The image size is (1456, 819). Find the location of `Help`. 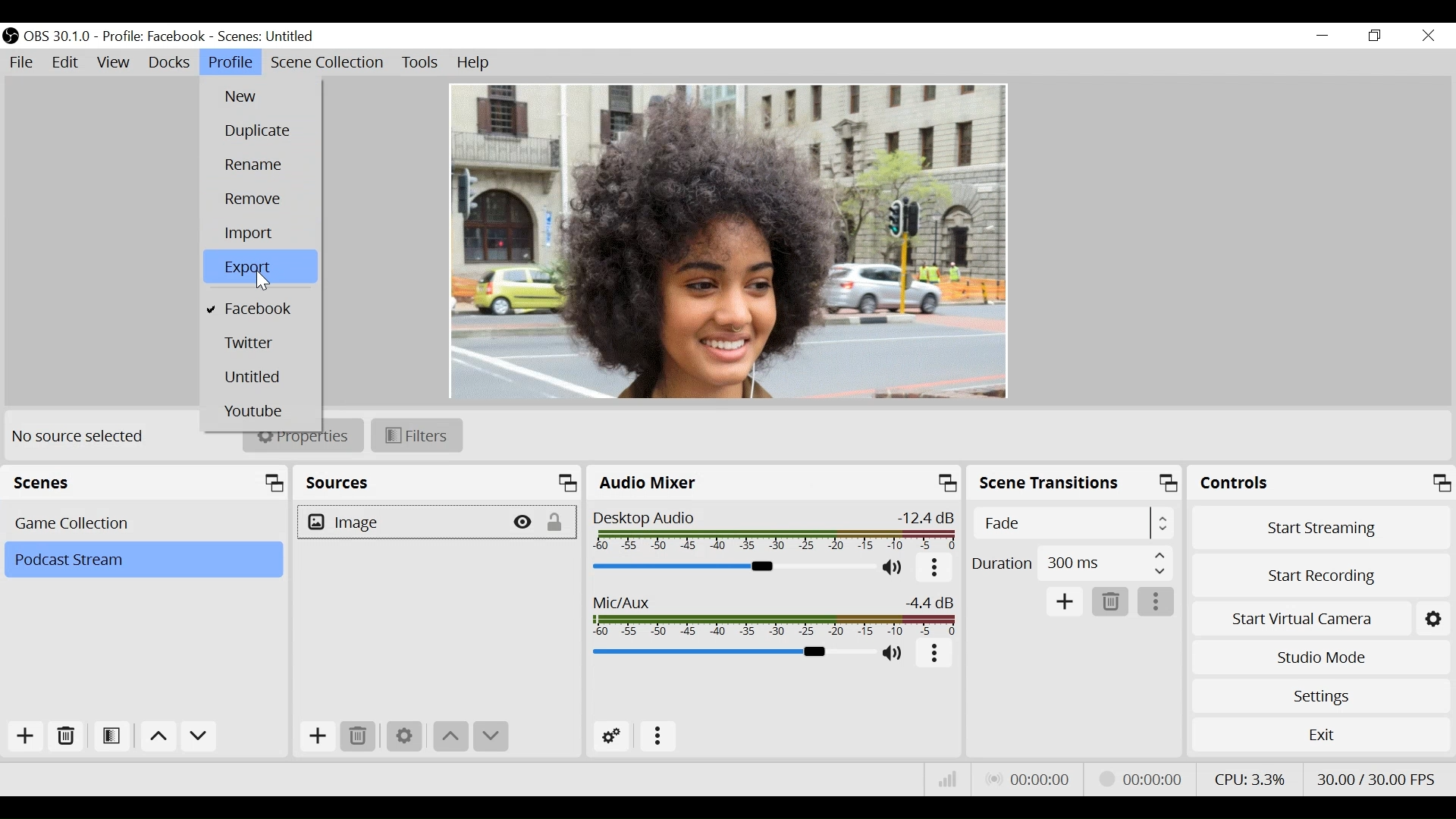

Help is located at coordinates (472, 64).